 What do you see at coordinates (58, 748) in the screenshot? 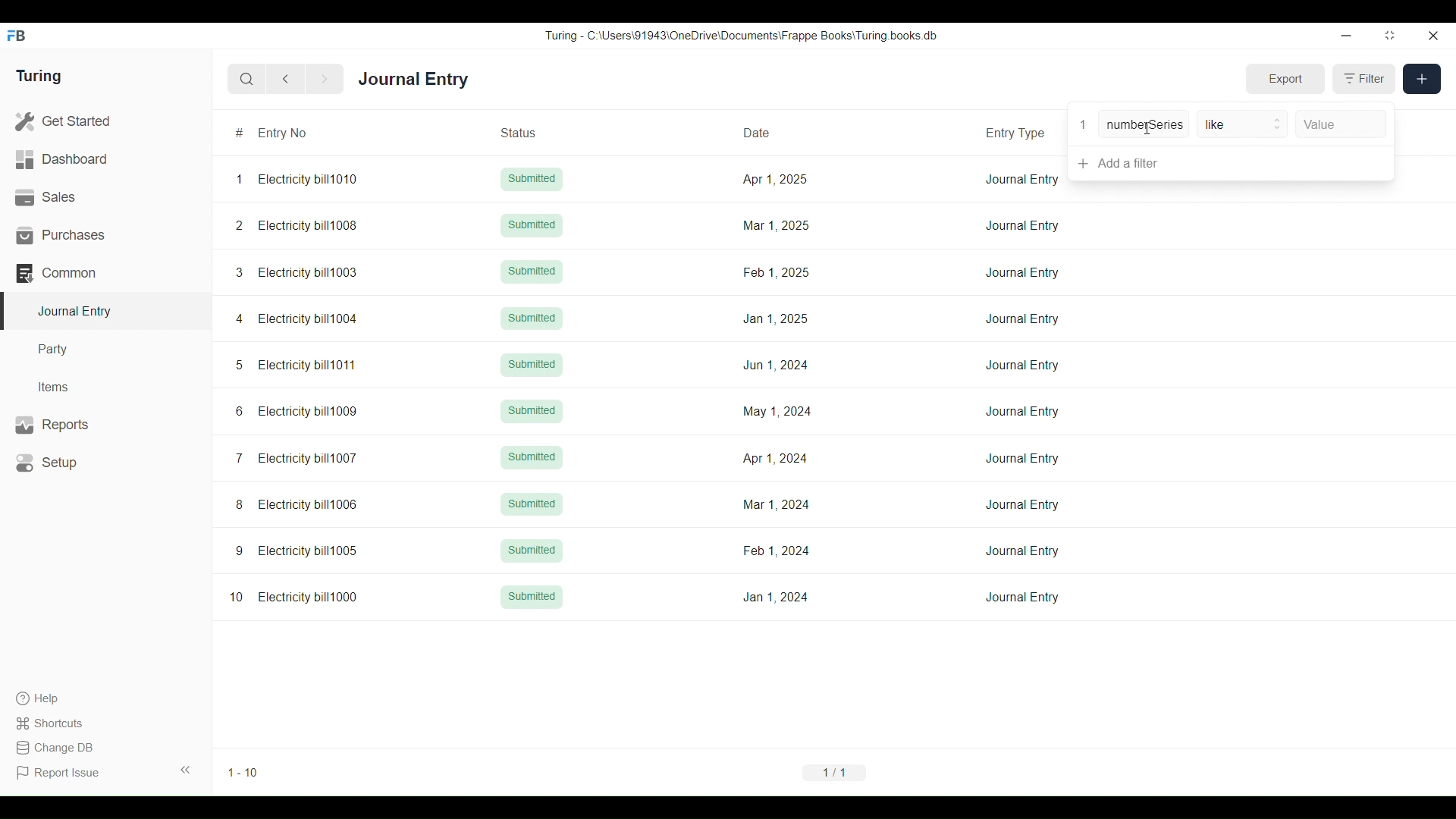
I see `Change DB` at bounding box center [58, 748].